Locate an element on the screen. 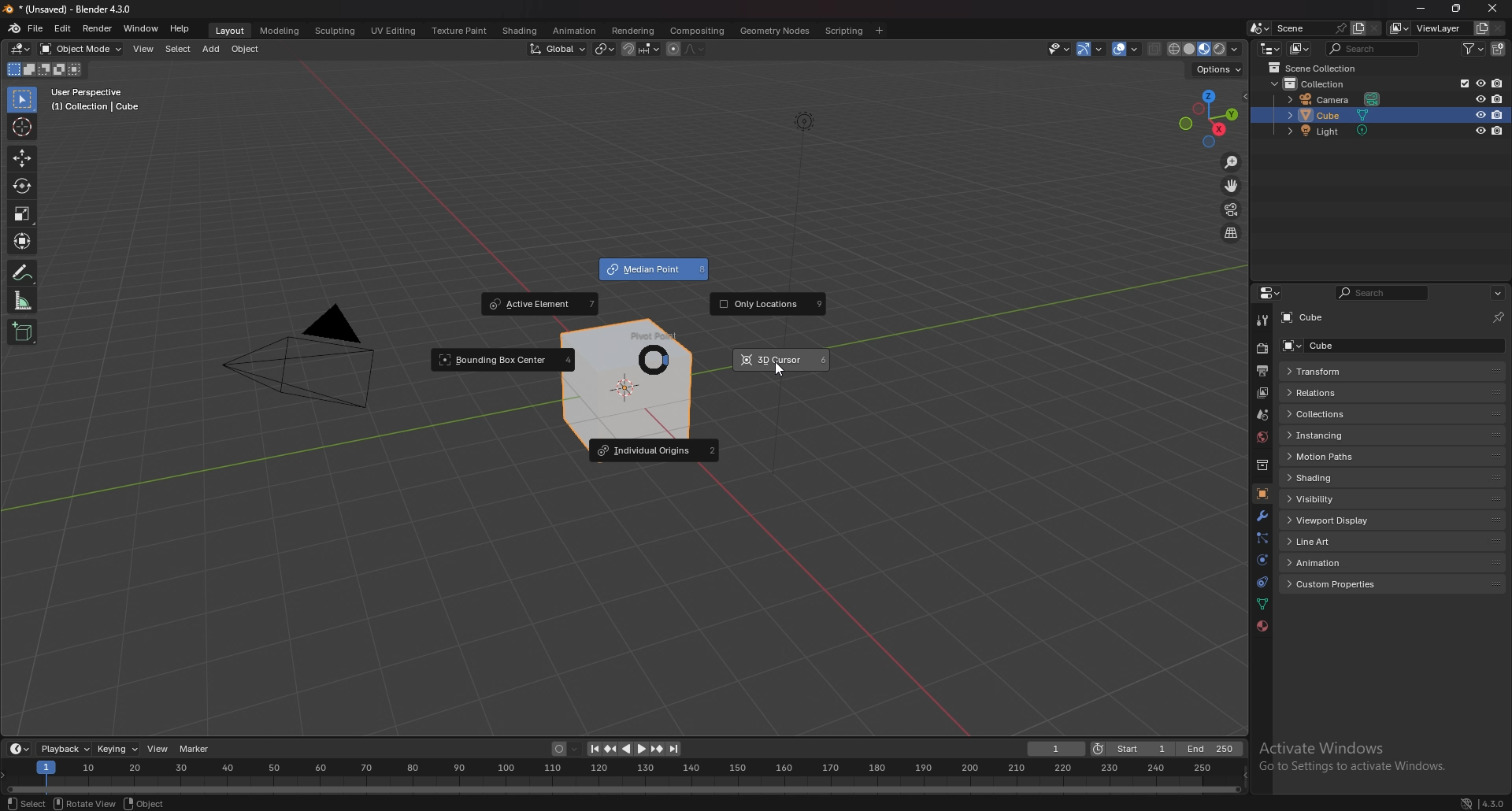 The height and width of the screenshot is (811, 1512). jump to endpoint is located at coordinates (676, 749).